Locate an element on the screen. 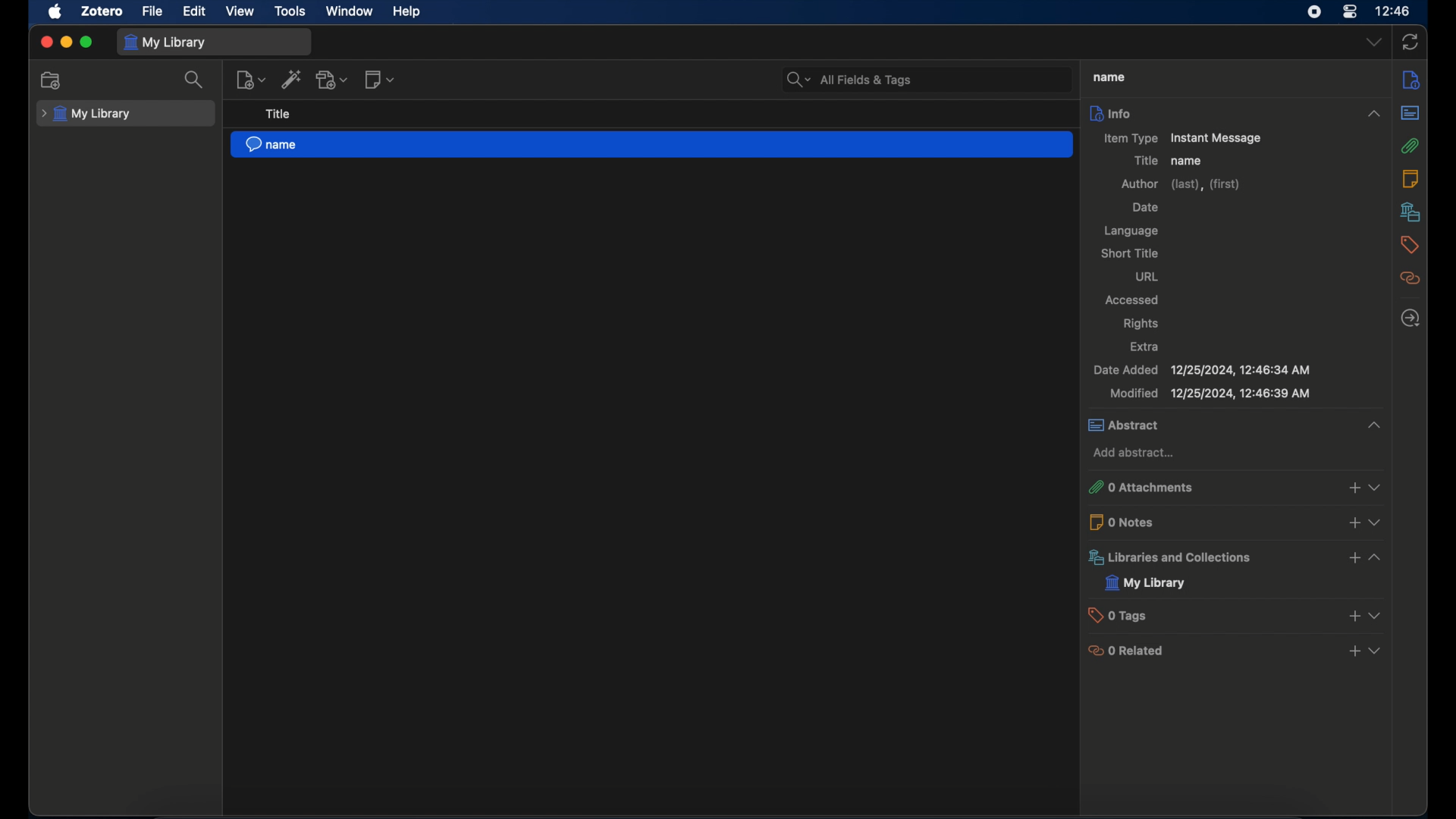 The image size is (1456, 819). libraries and collections is located at coordinates (1410, 212).